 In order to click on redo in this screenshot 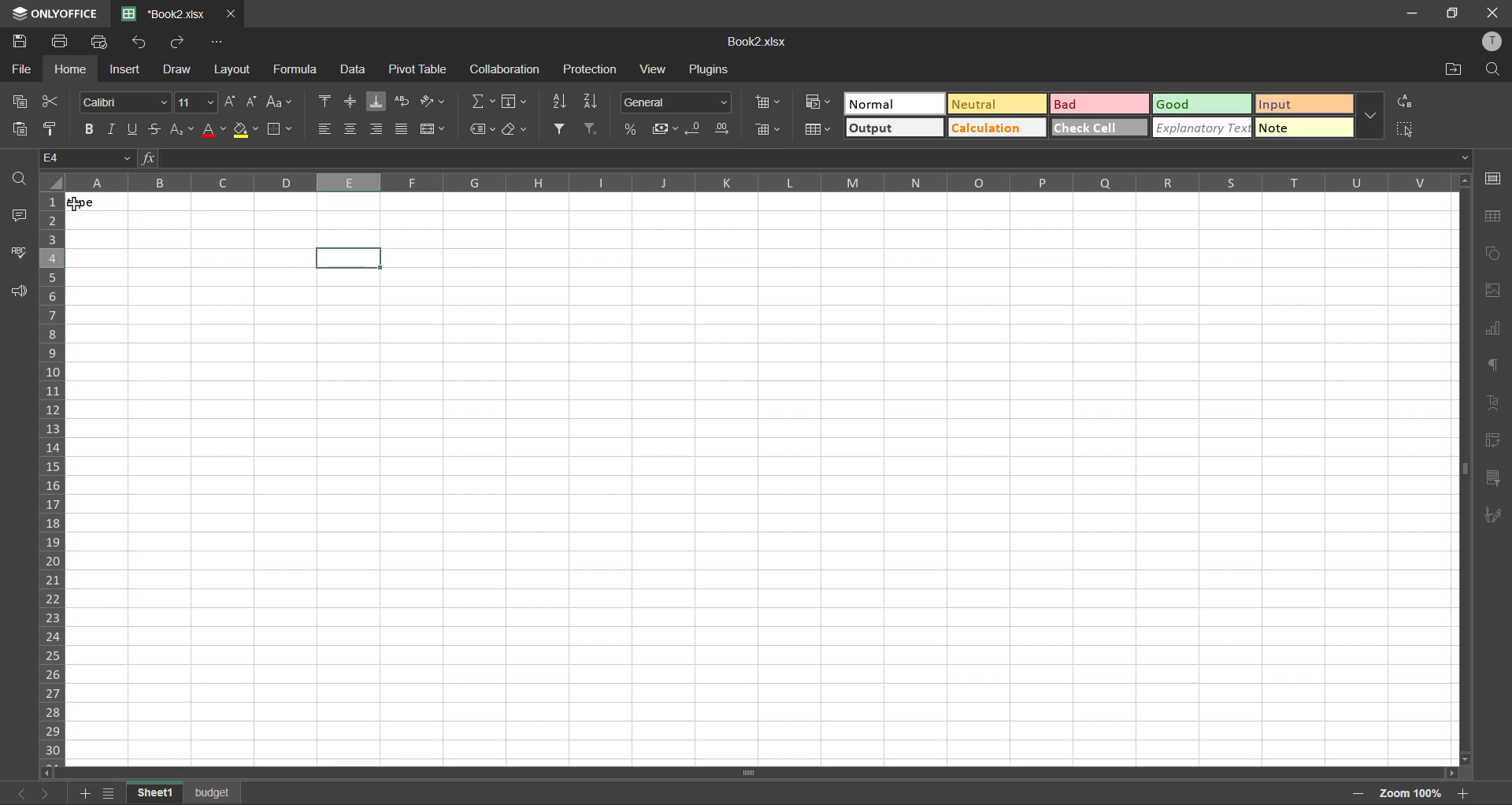, I will do `click(178, 43)`.